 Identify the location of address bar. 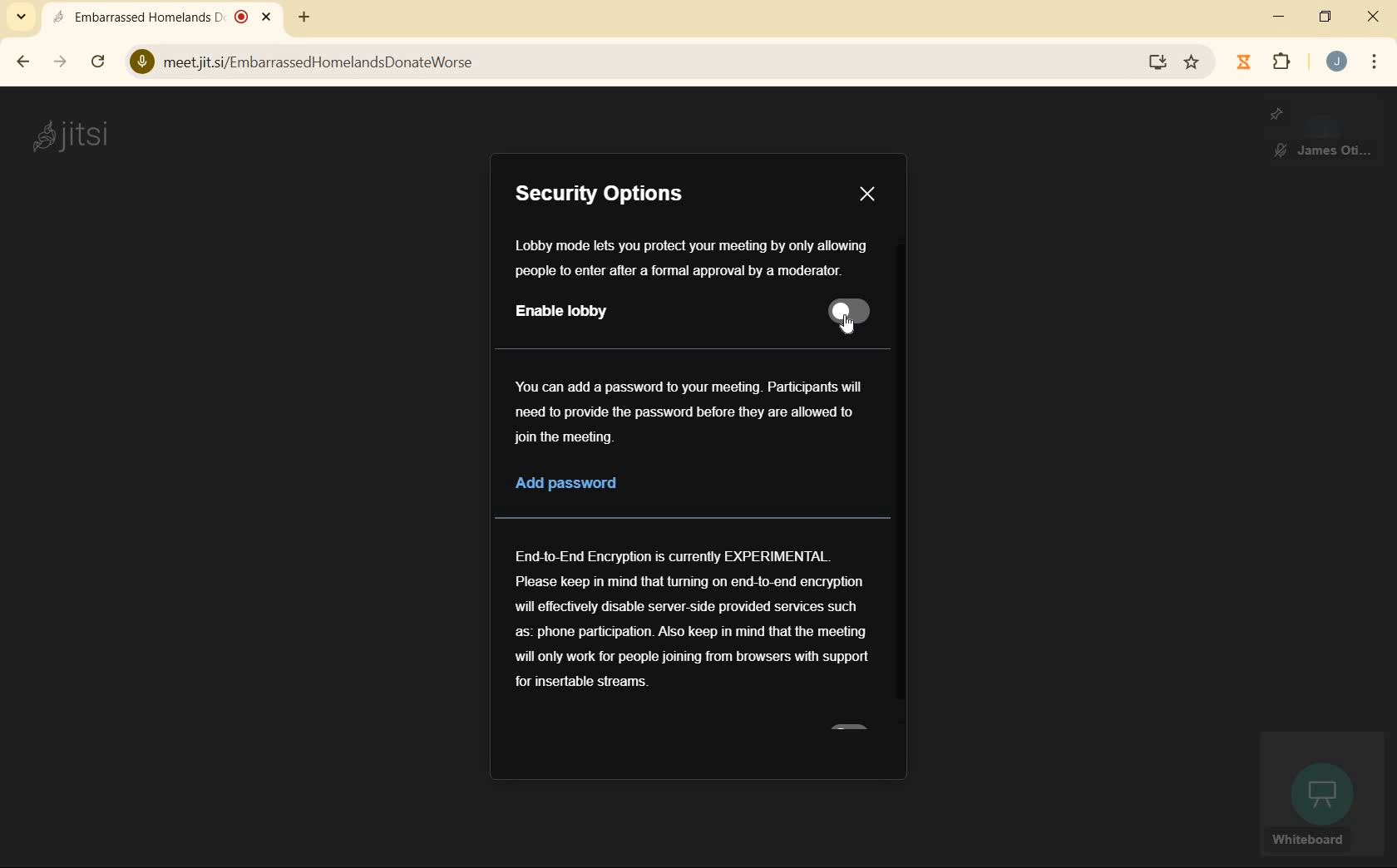
(630, 62).